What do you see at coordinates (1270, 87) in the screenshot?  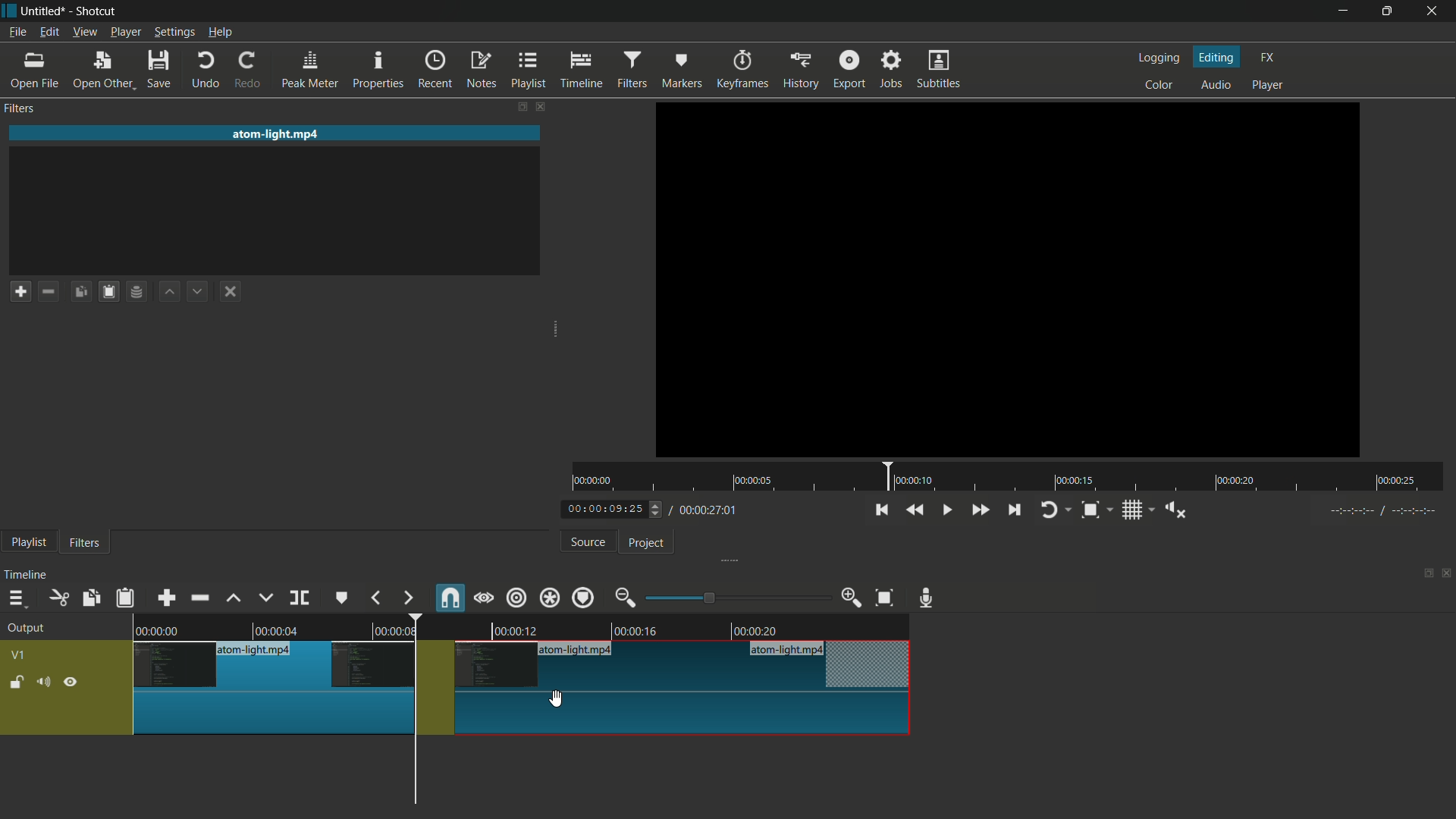 I see `player` at bounding box center [1270, 87].